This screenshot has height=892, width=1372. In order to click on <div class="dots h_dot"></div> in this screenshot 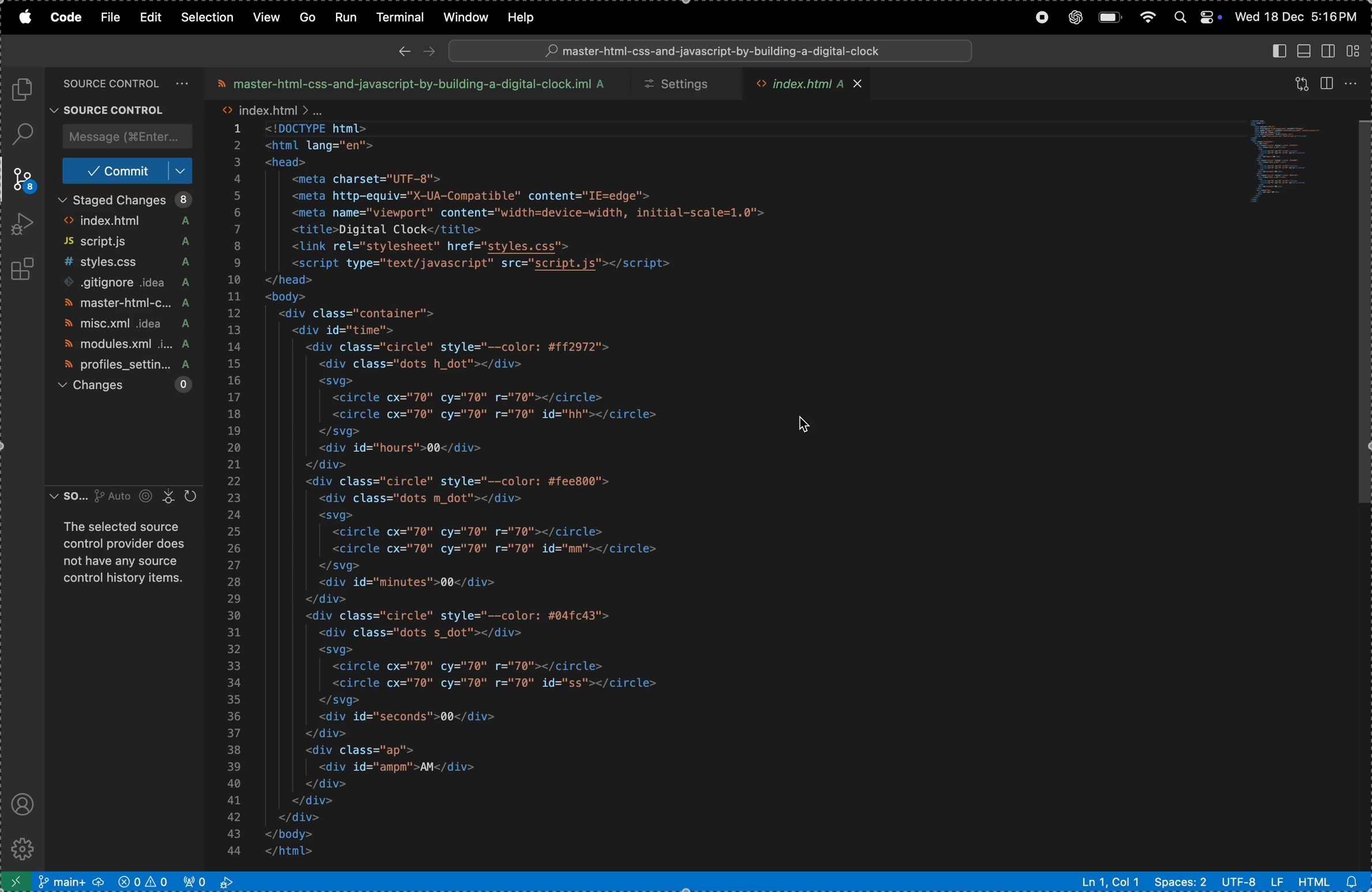, I will do `click(438, 364)`.